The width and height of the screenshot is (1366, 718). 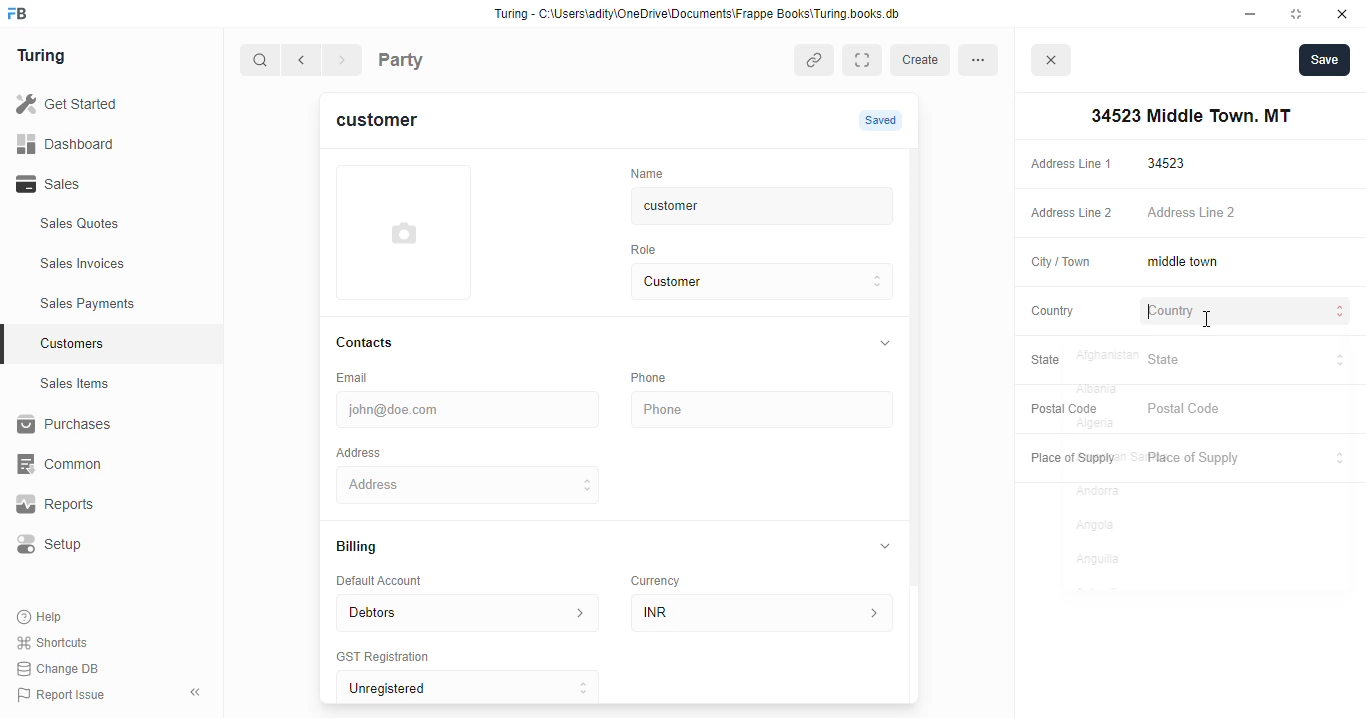 What do you see at coordinates (650, 249) in the screenshot?
I see `Role` at bounding box center [650, 249].